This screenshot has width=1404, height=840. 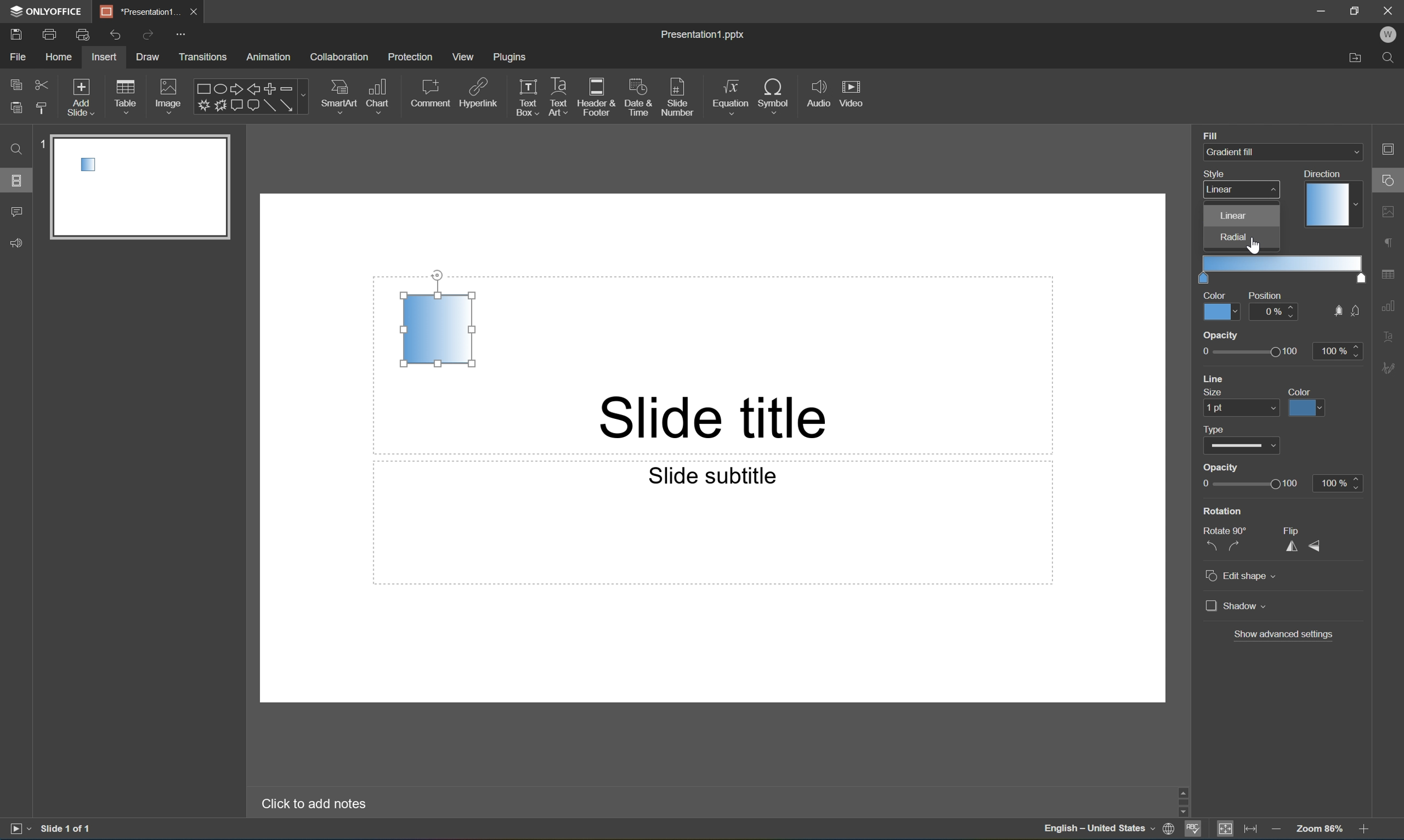 I want to click on Date & Time, so click(x=636, y=96).